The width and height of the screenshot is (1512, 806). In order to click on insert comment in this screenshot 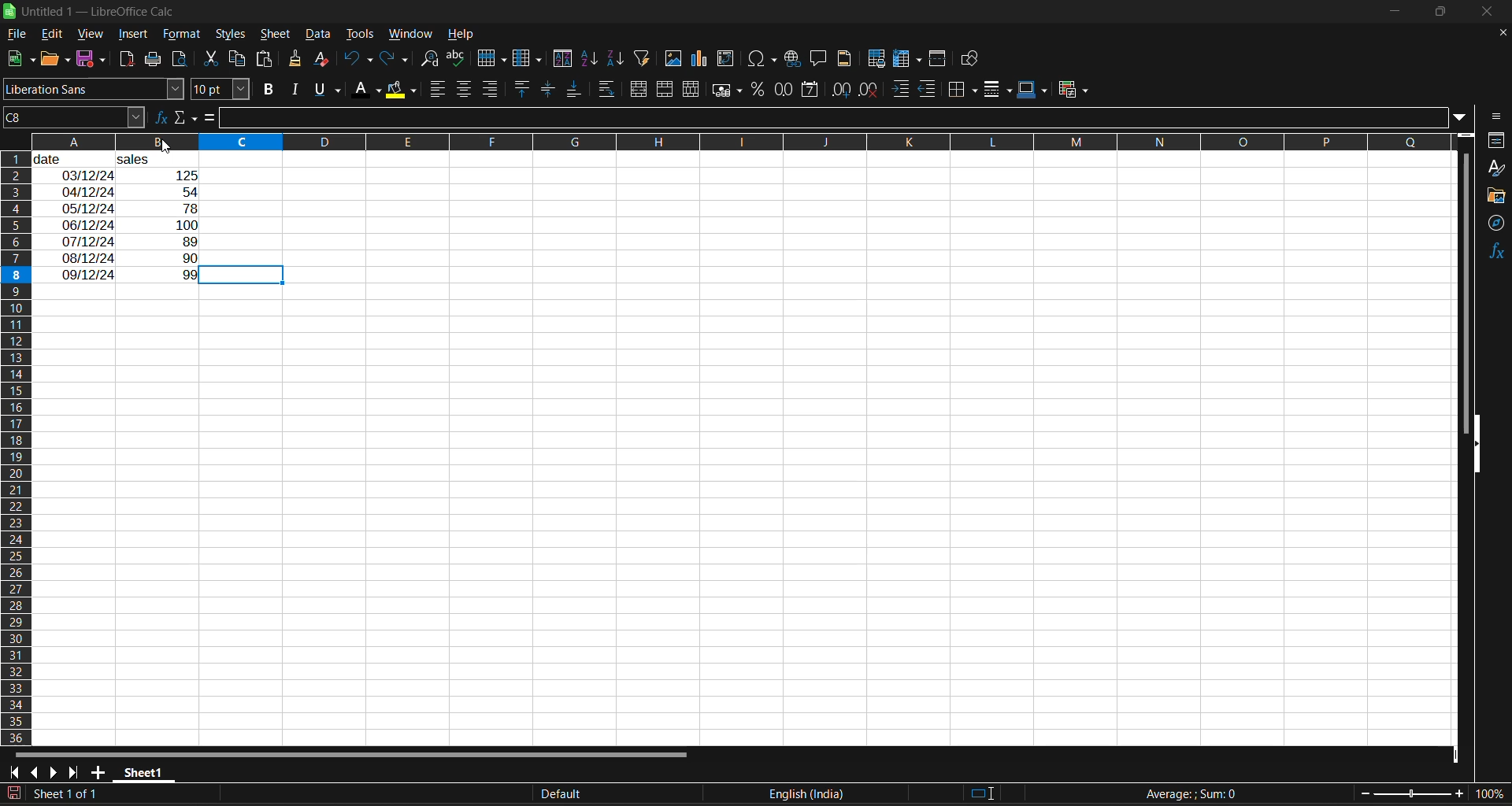, I will do `click(820, 59)`.